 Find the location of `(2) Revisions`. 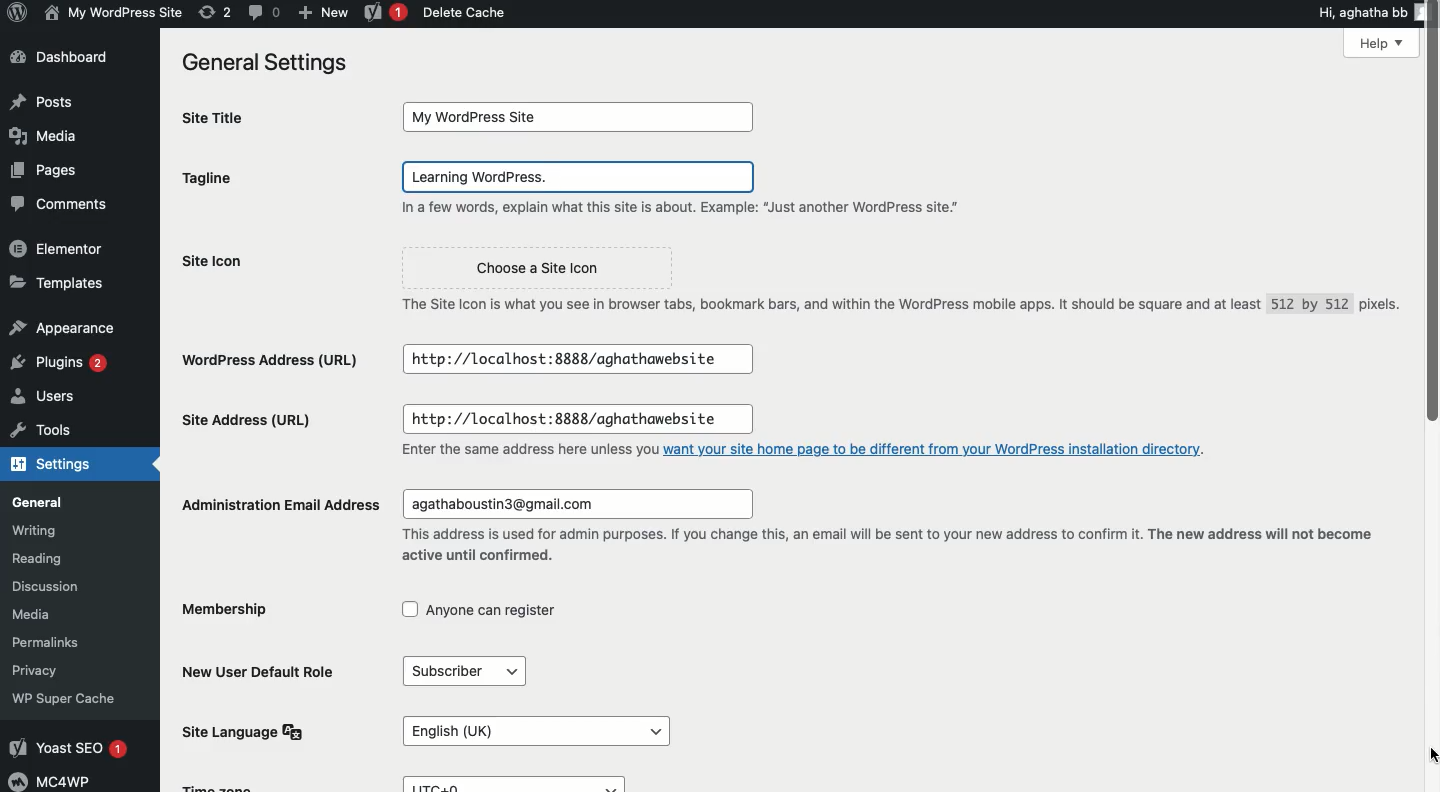

(2) Revisions is located at coordinates (212, 11).